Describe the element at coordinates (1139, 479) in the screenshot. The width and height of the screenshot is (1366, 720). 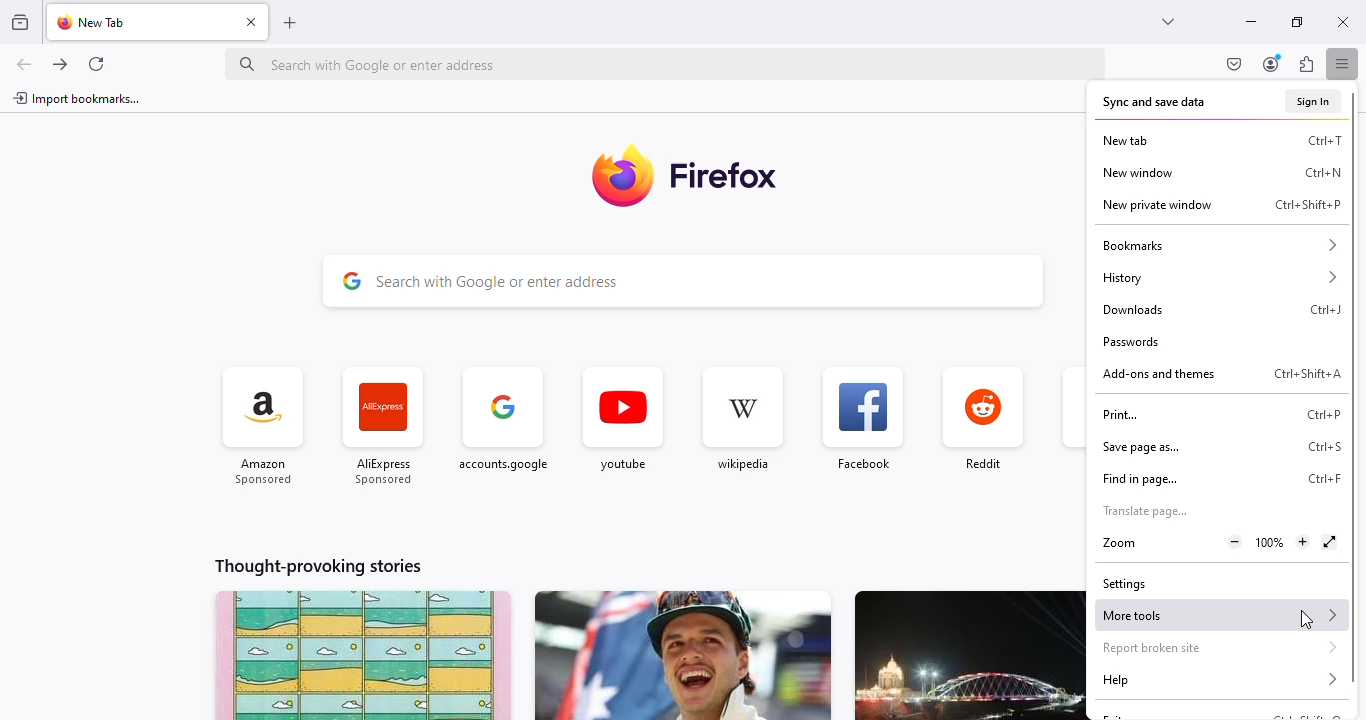
I see `find in page` at that location.